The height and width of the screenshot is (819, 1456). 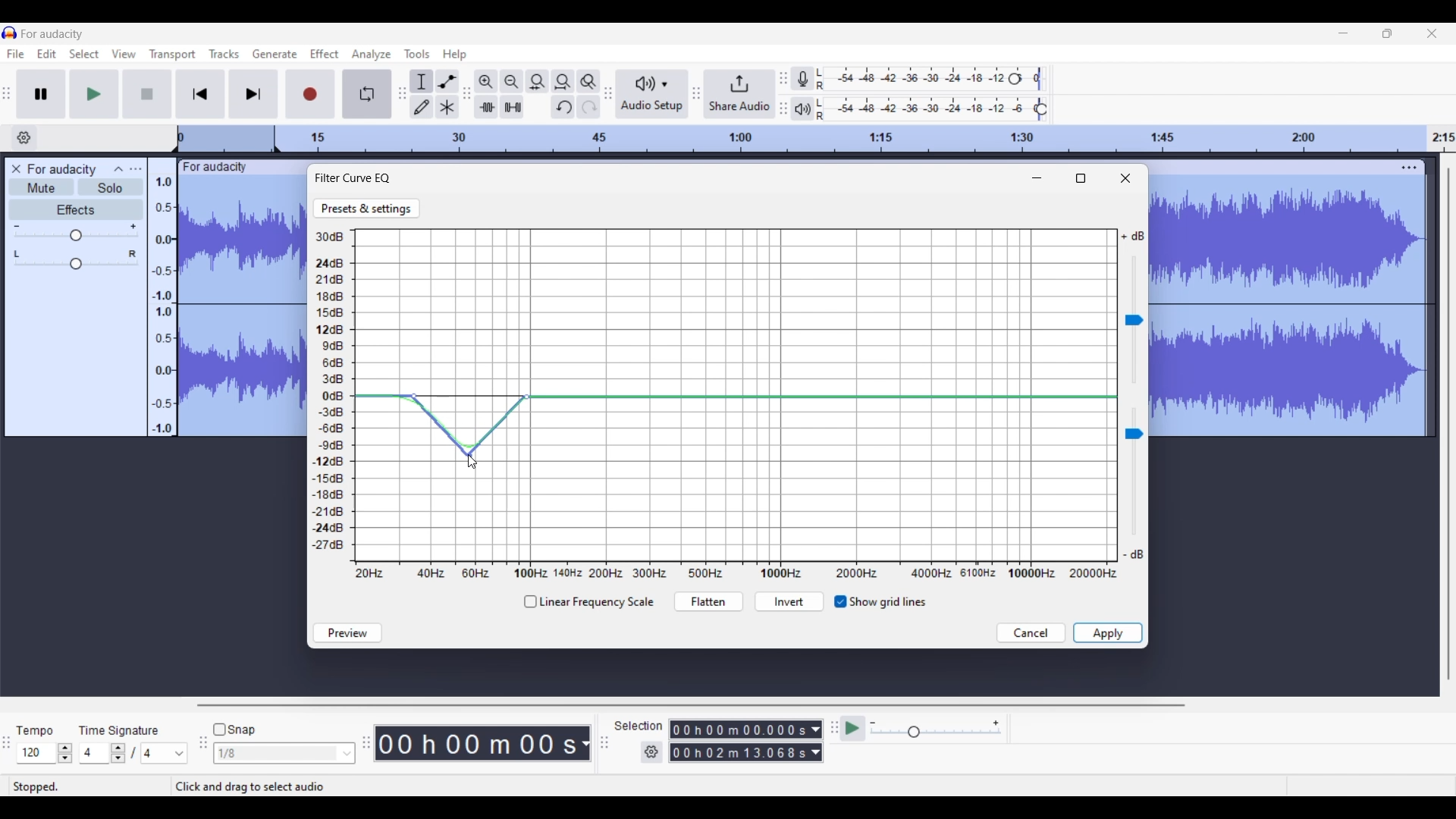 I want to click on Envelop tool, so click(x=447, y=81).